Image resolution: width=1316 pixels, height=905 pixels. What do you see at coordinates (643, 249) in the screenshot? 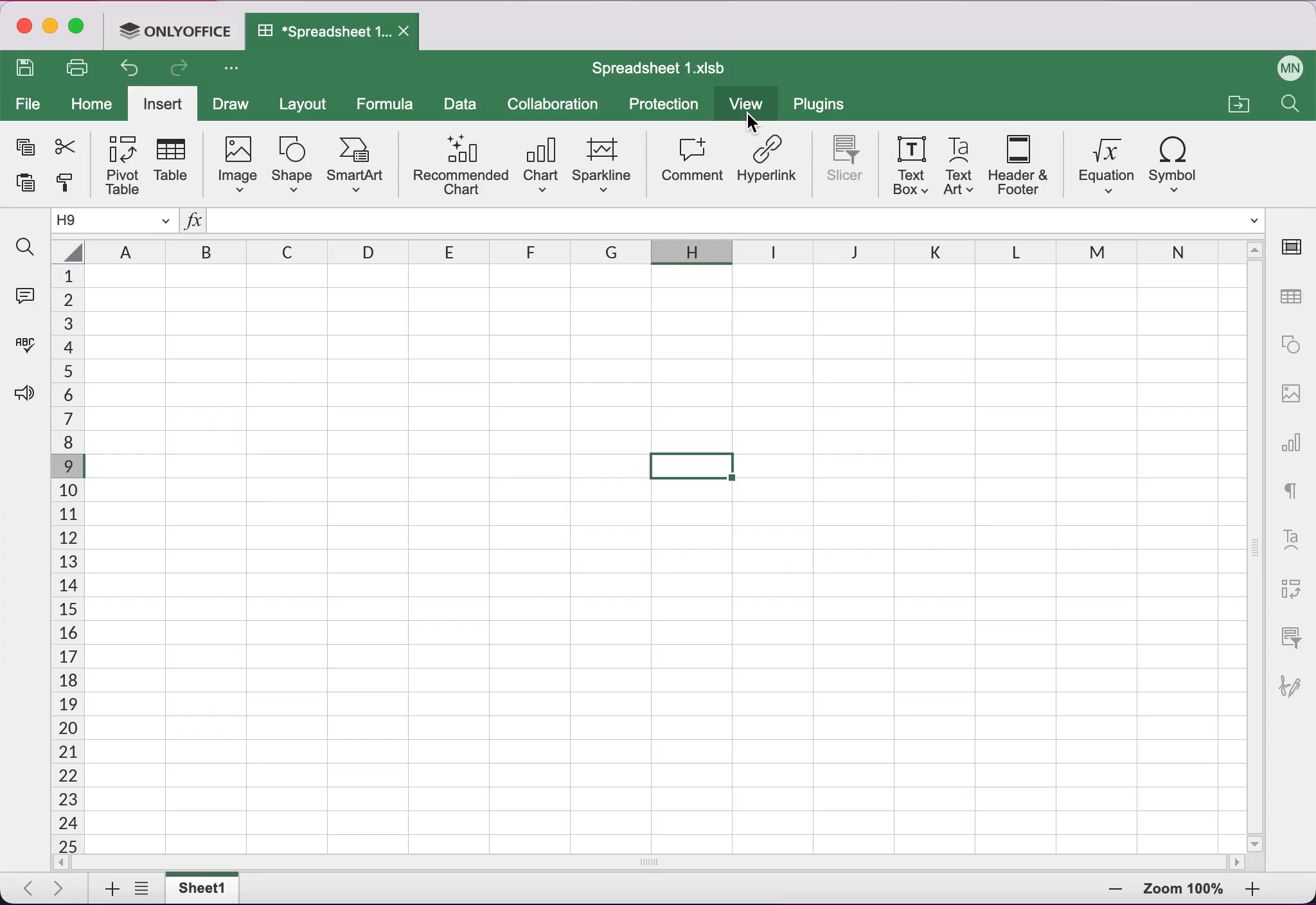
I see `columns` at bounding box center [643, 249].